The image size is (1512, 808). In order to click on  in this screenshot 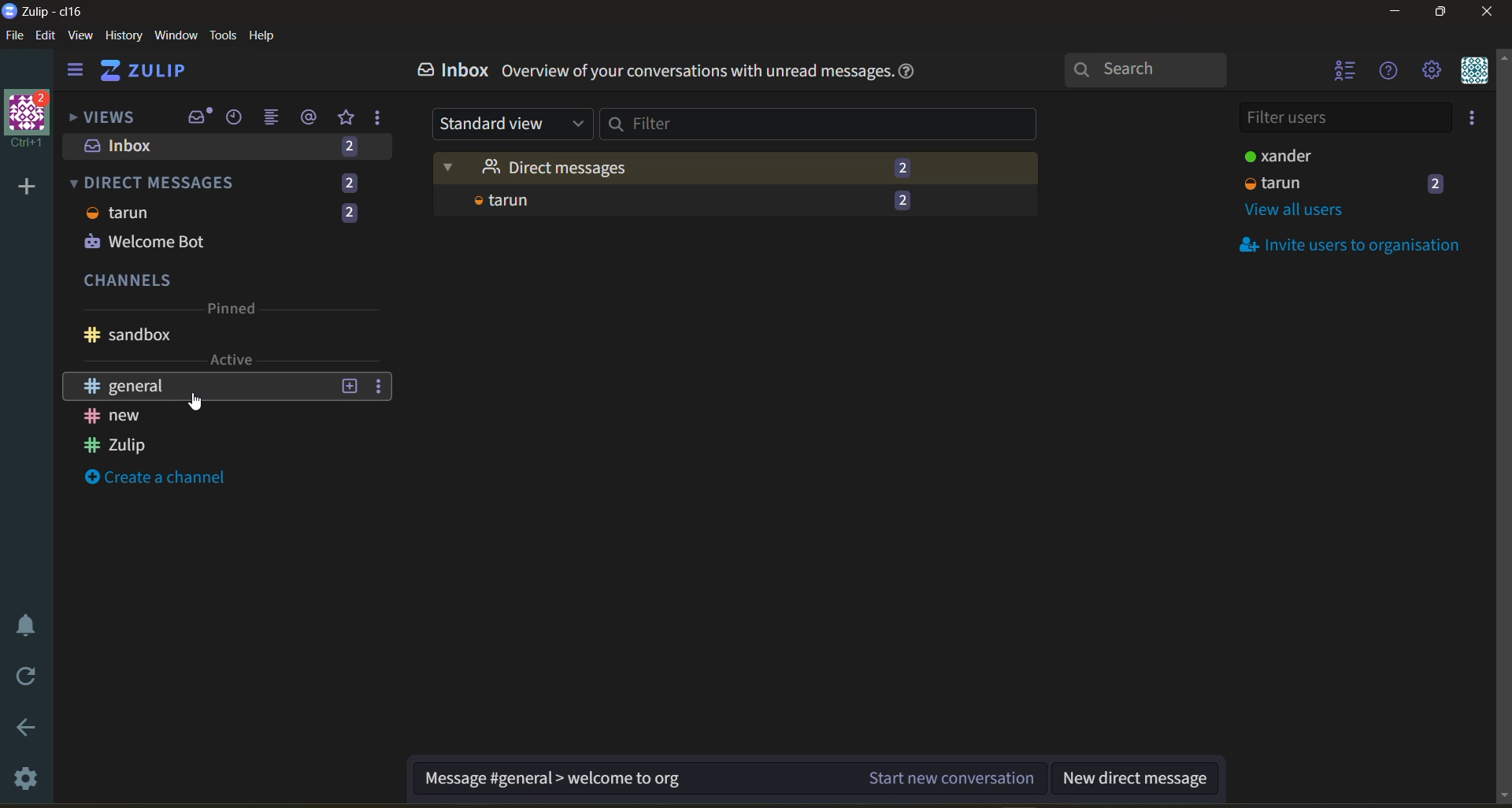, I will do `click(134, 387)`.